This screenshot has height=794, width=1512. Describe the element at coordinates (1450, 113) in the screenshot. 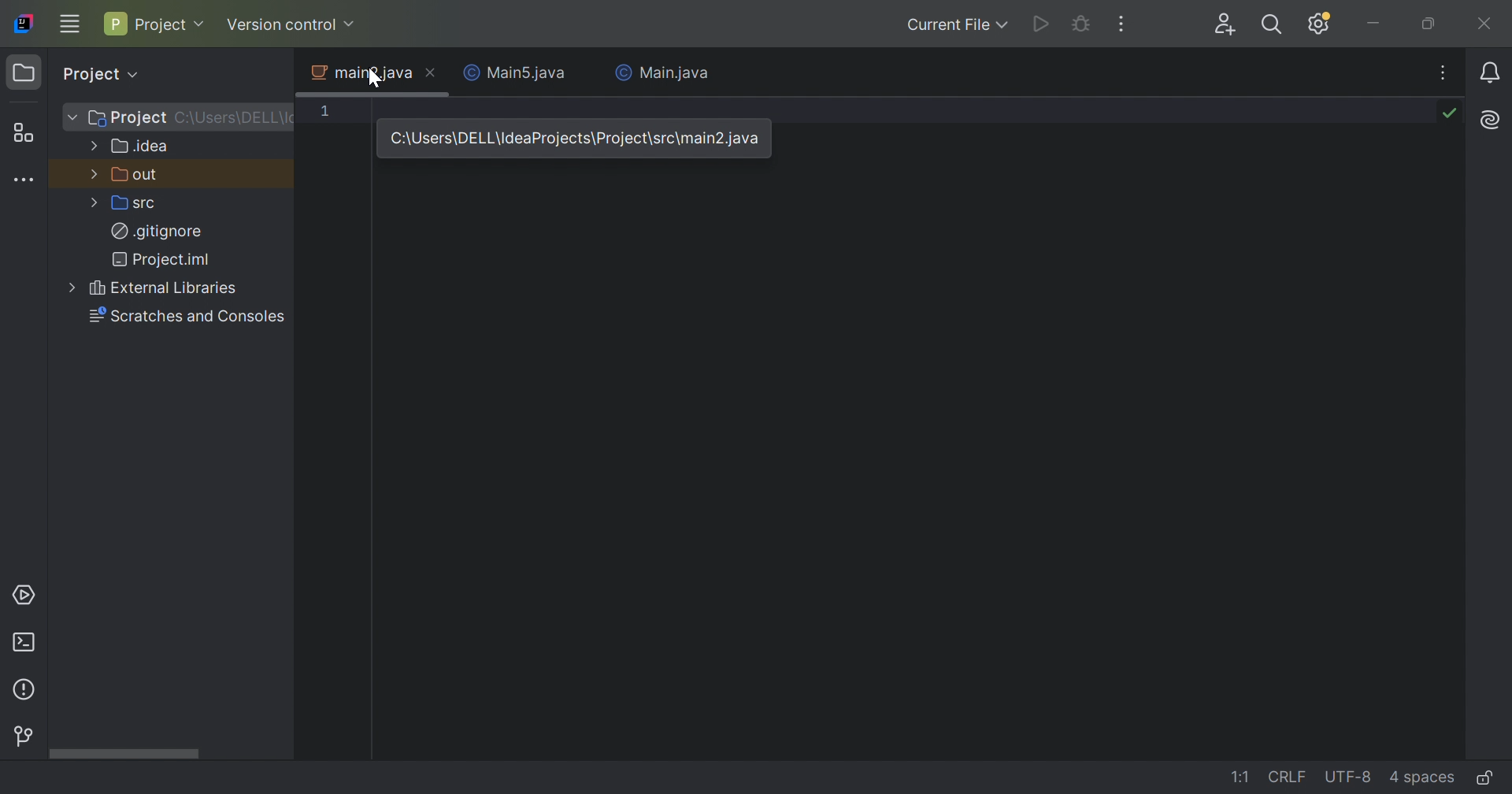

I see `No problems found` at that location.